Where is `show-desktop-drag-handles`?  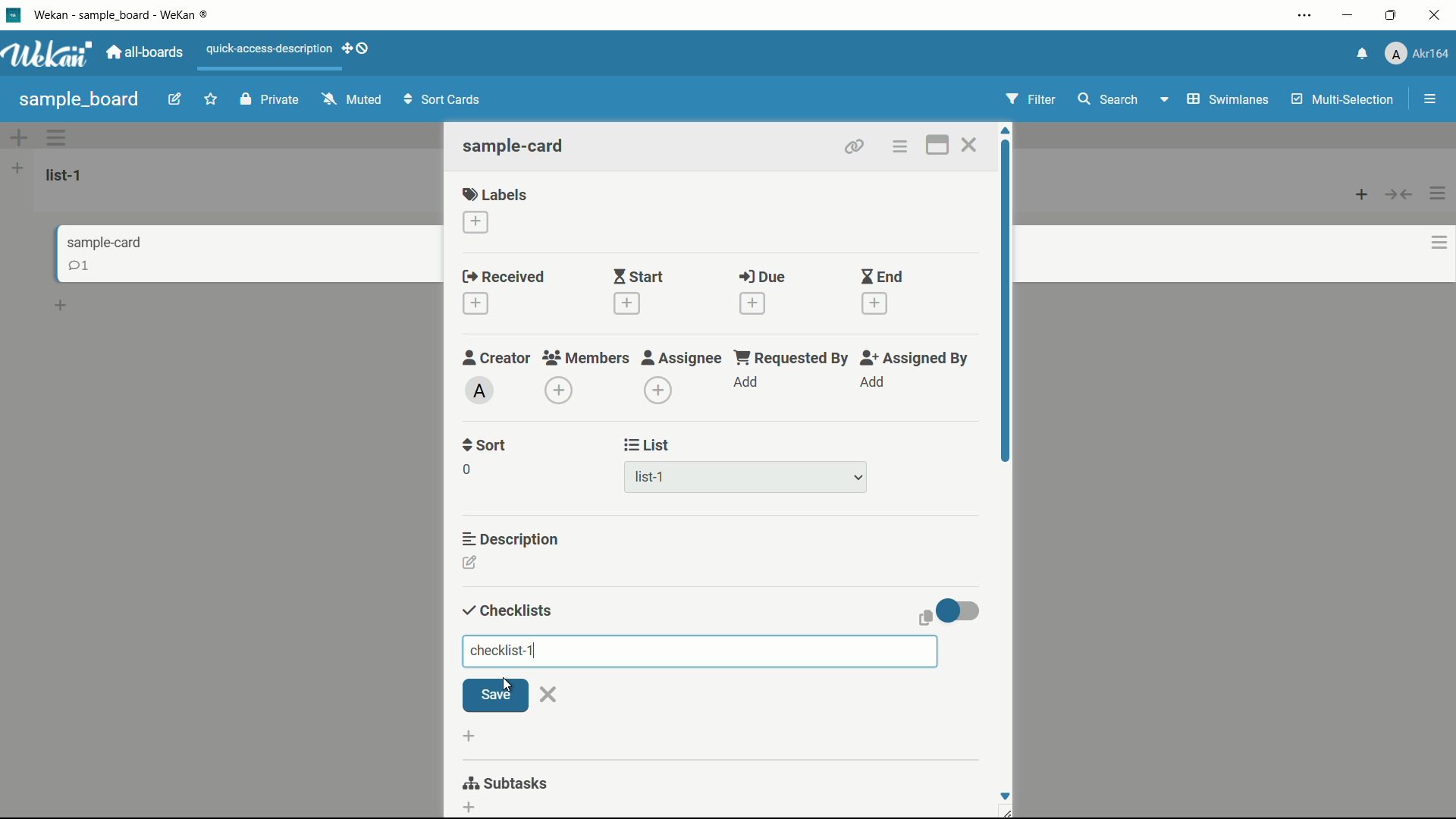
show-desktop-drag-handles is located at coordinates (363, 46).